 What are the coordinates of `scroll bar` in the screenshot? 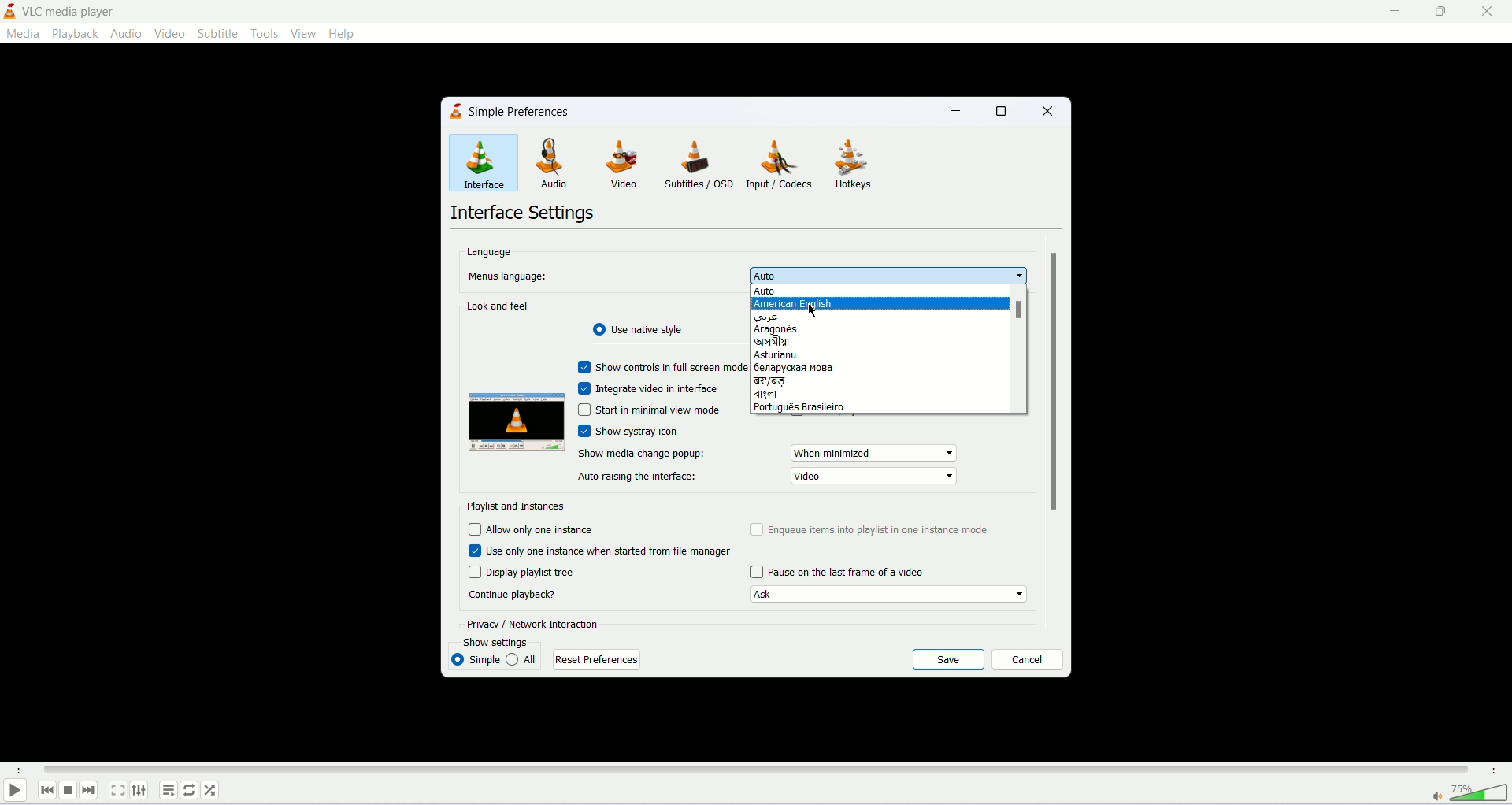 It's located at (1019, 349).